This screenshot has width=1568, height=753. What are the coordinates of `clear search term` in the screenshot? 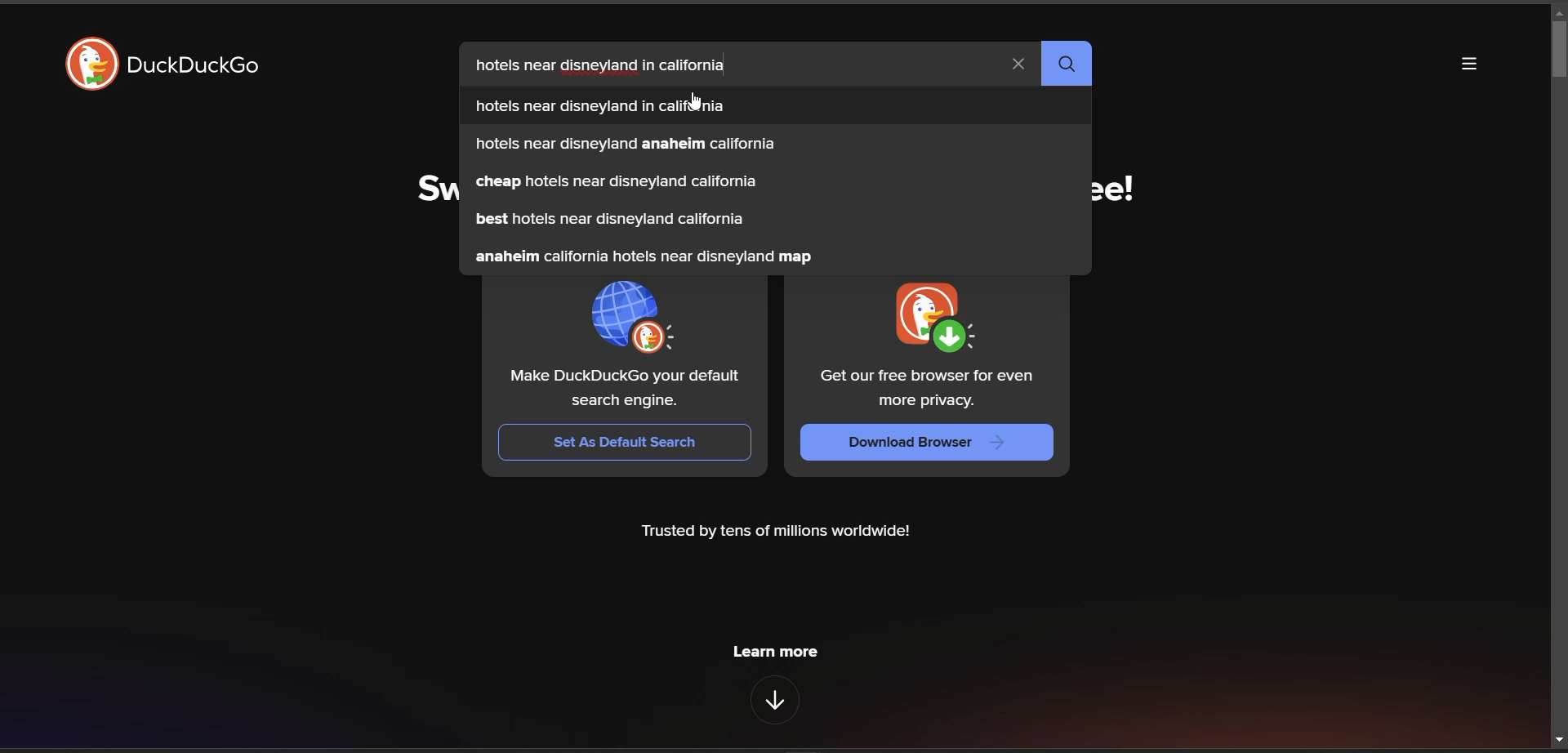 It's located at (1018, 65).